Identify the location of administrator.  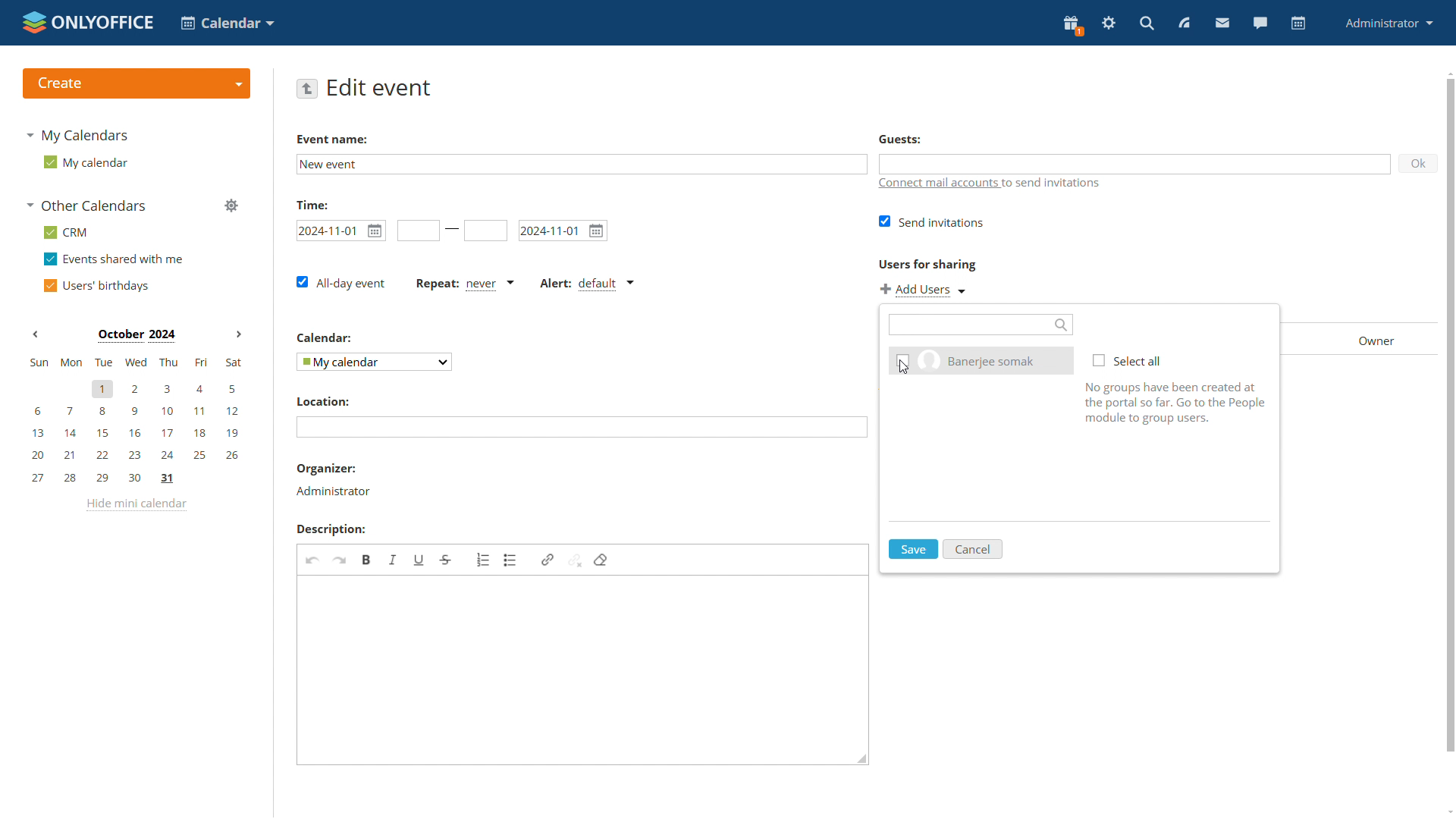
(1389, 23).